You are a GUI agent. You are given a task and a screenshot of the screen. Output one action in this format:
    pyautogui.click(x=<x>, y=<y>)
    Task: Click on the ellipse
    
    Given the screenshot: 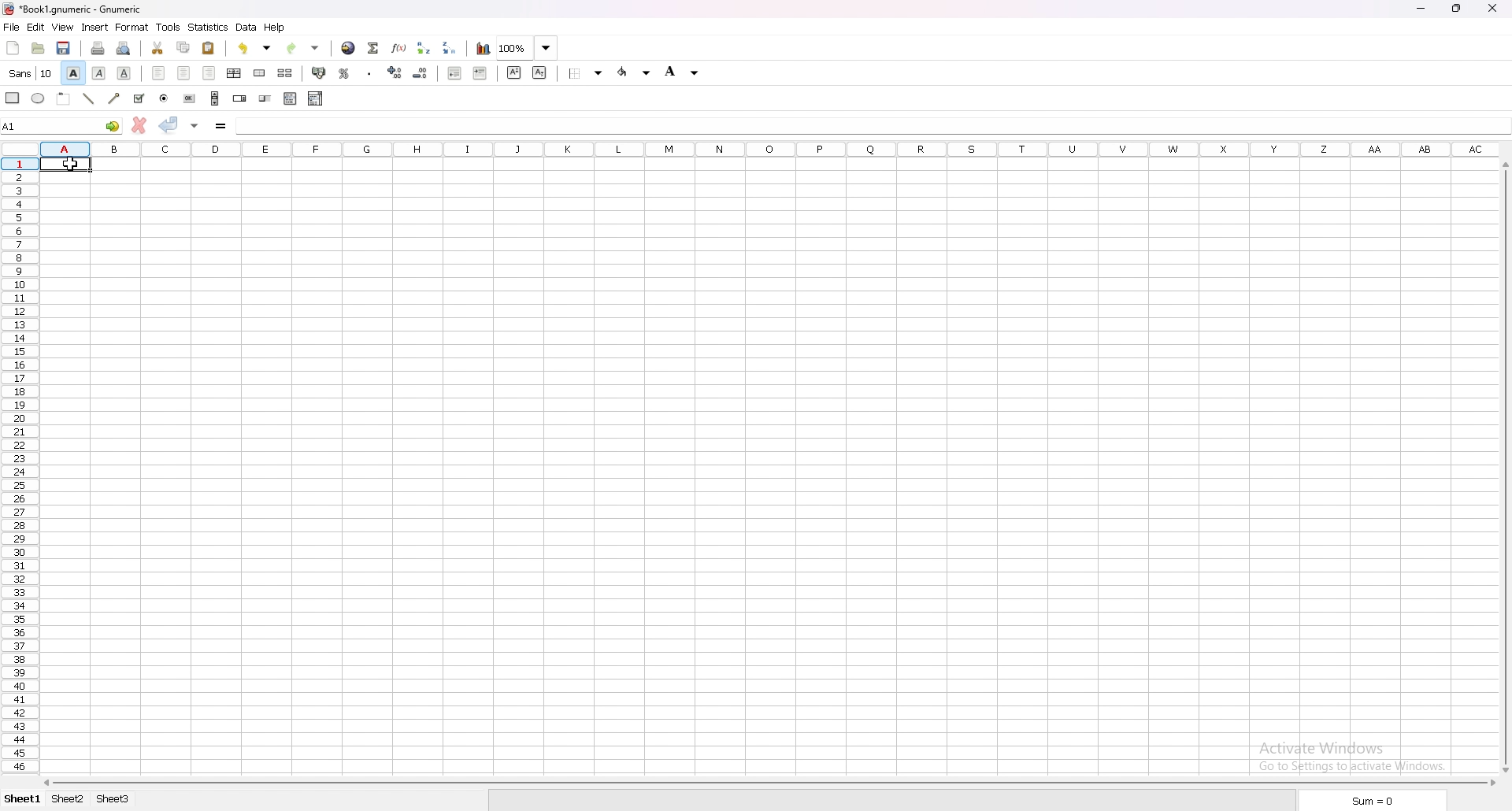 What is the action you would take?
    pyautogui.click(x=37, y=98)
    